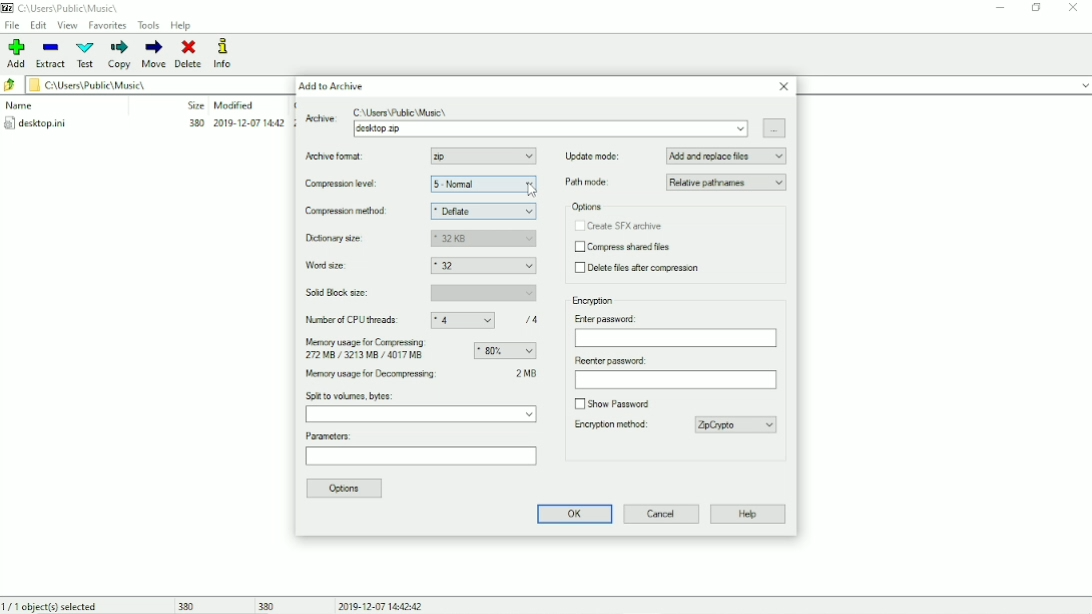 Image resolution: width=1092 pixels, height=614 pixels. What do you see at coordinates (1001, 8) in the screenshot?
I see `Minimize` at bounding box center [1001, 8].